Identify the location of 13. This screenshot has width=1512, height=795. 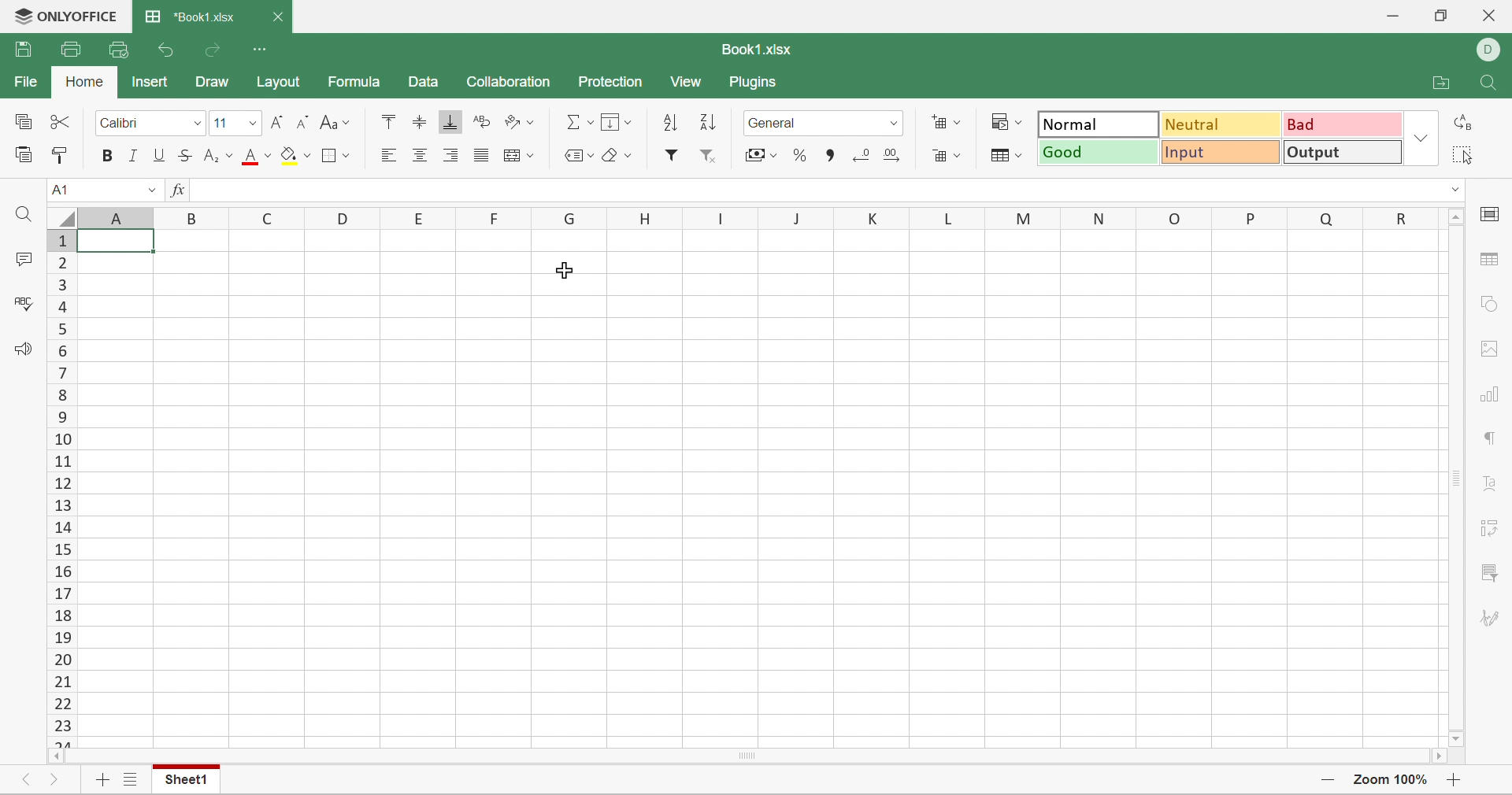
(65, 506).